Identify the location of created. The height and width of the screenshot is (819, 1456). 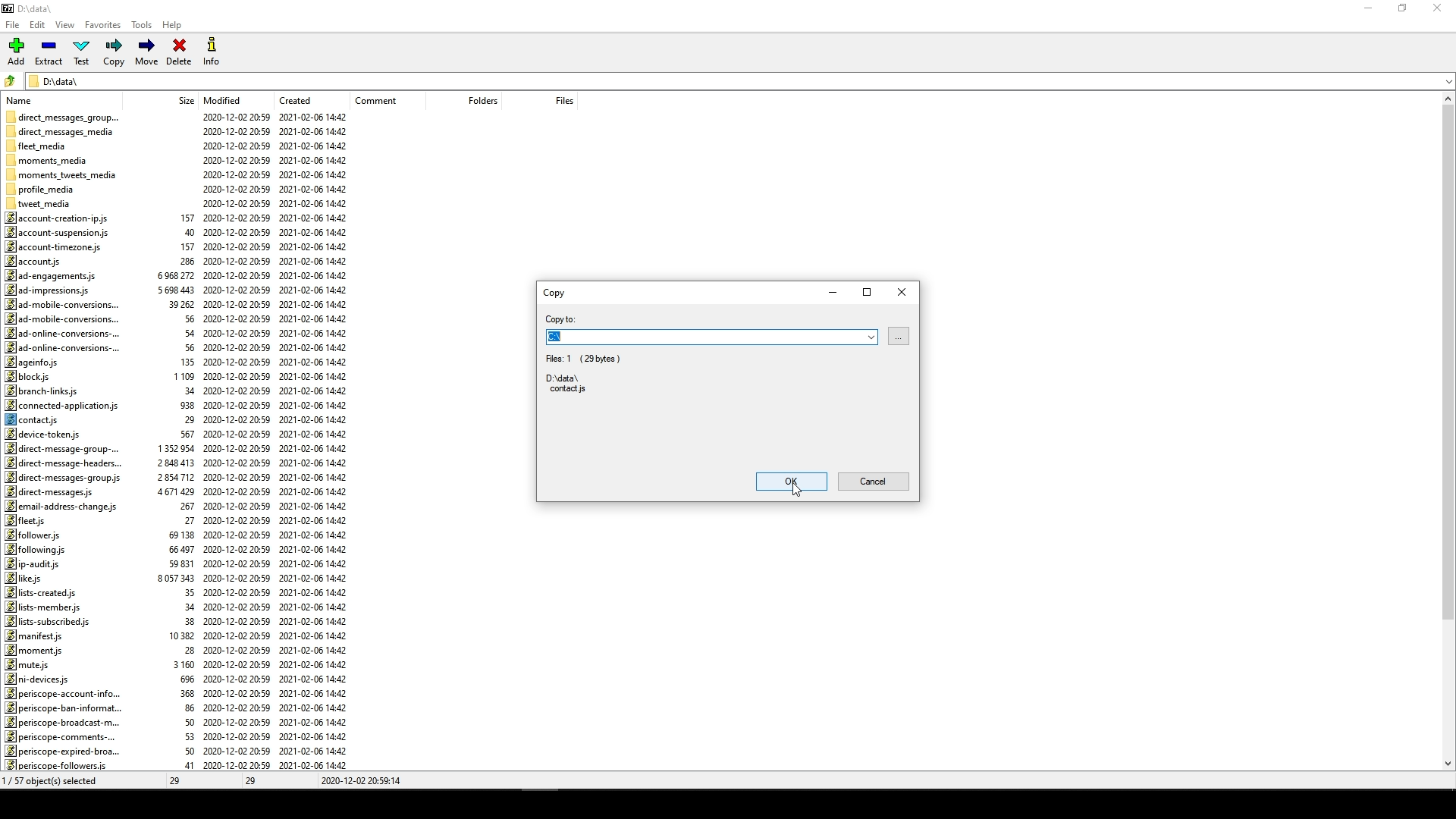
(294, 99).